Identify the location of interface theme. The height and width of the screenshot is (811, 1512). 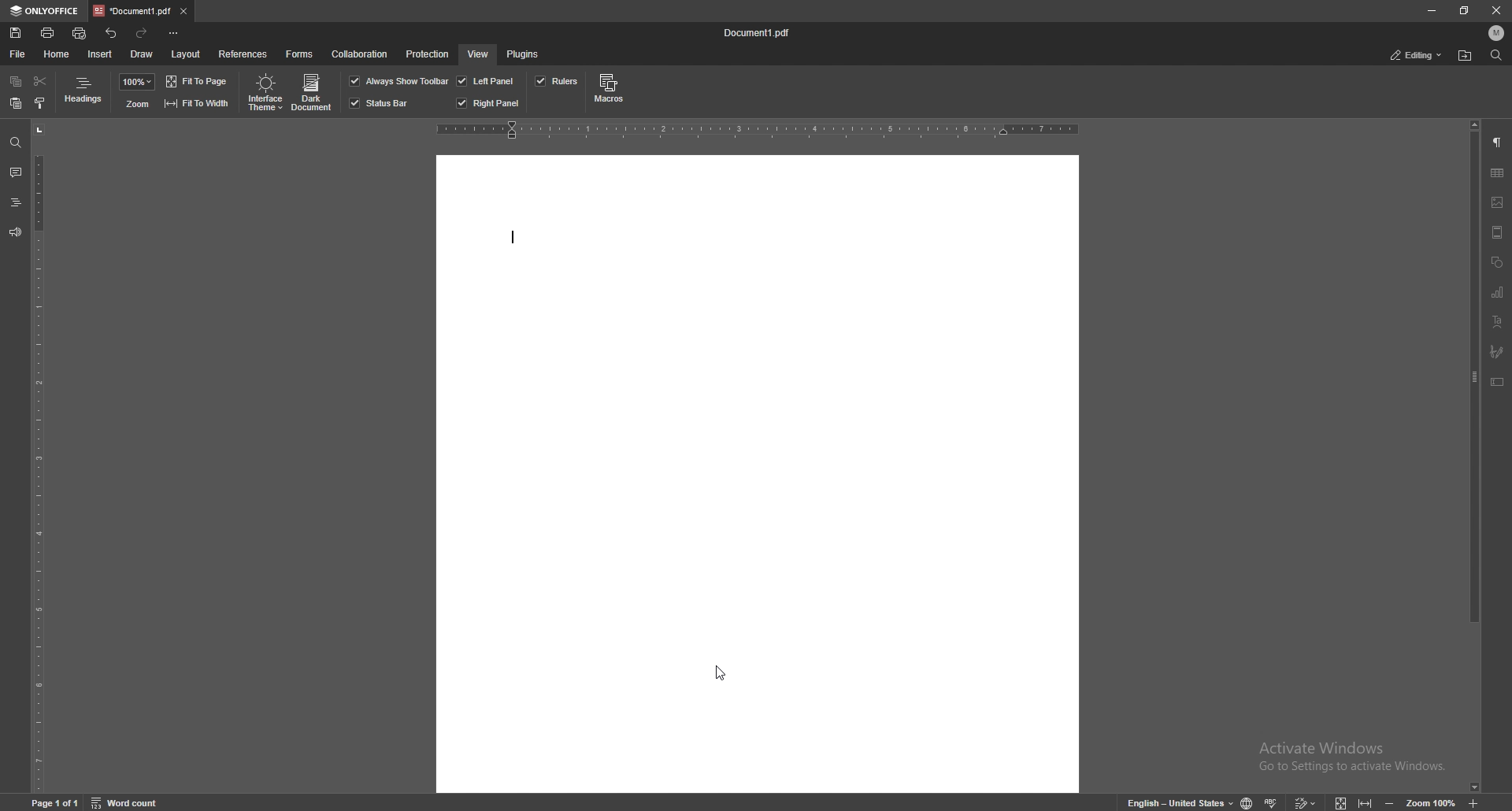
(263, 93).